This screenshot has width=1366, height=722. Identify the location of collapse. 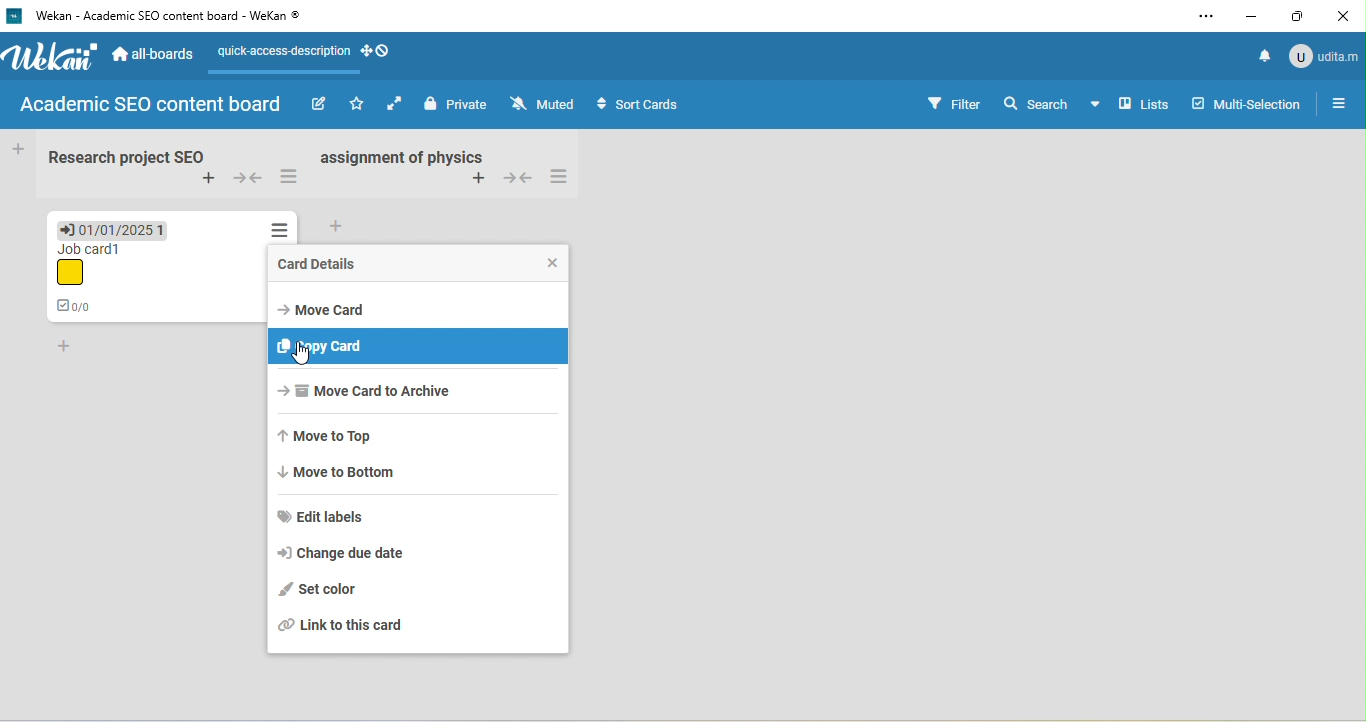
(249, 179).